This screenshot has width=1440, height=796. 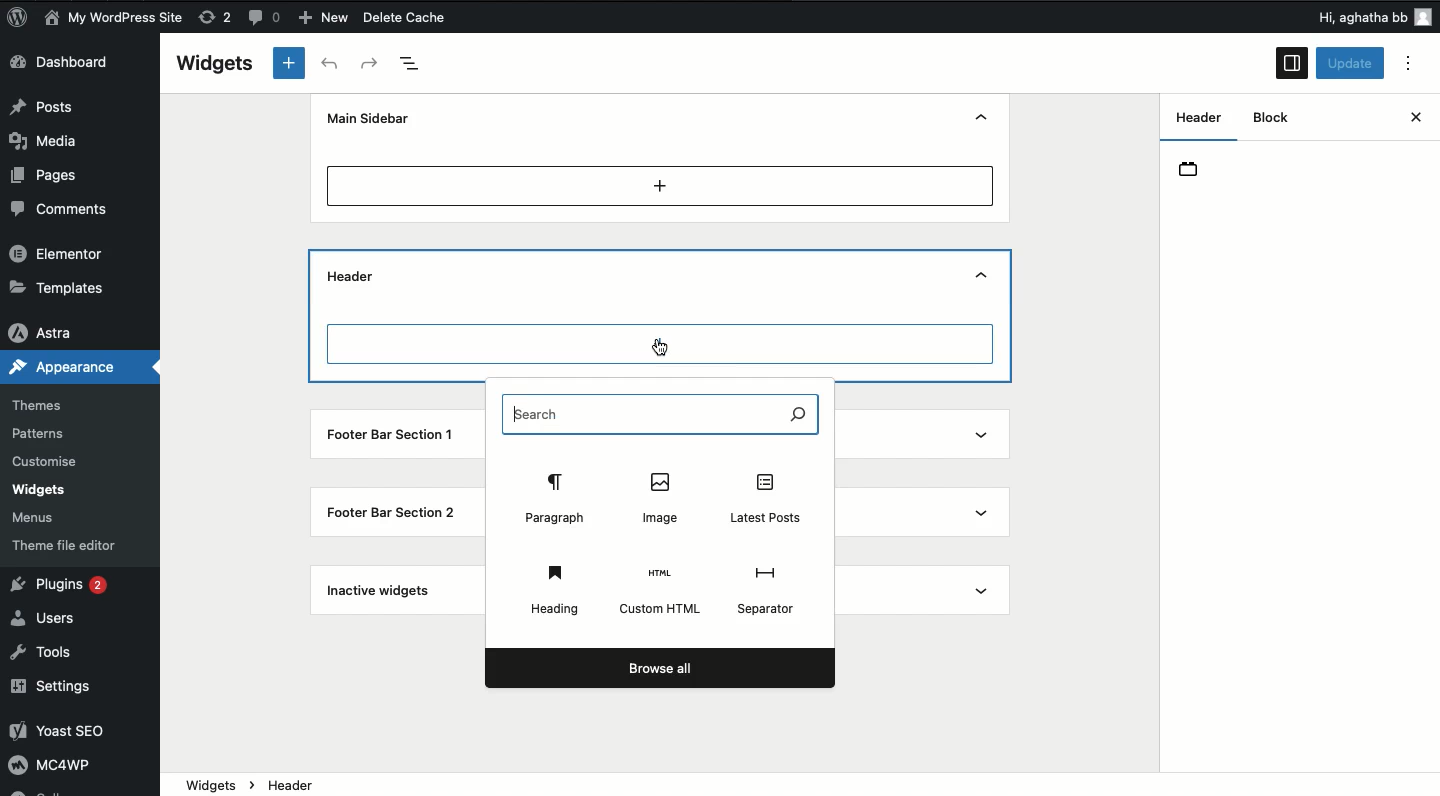 I want to click on Dashboard, so click(x=74, y=64).